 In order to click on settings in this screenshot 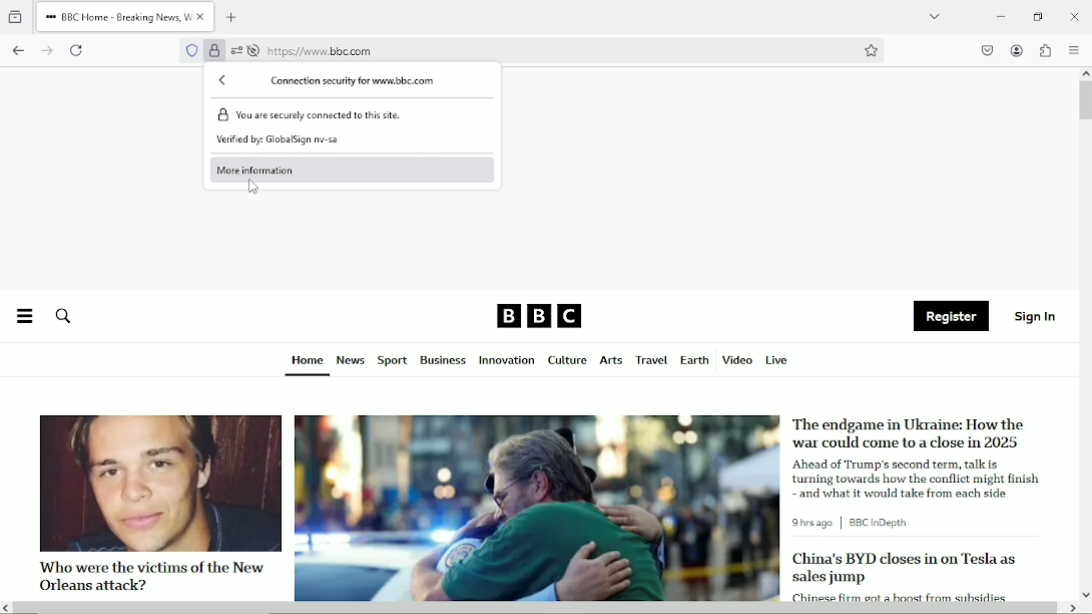, I will do `click(236, 51)`.